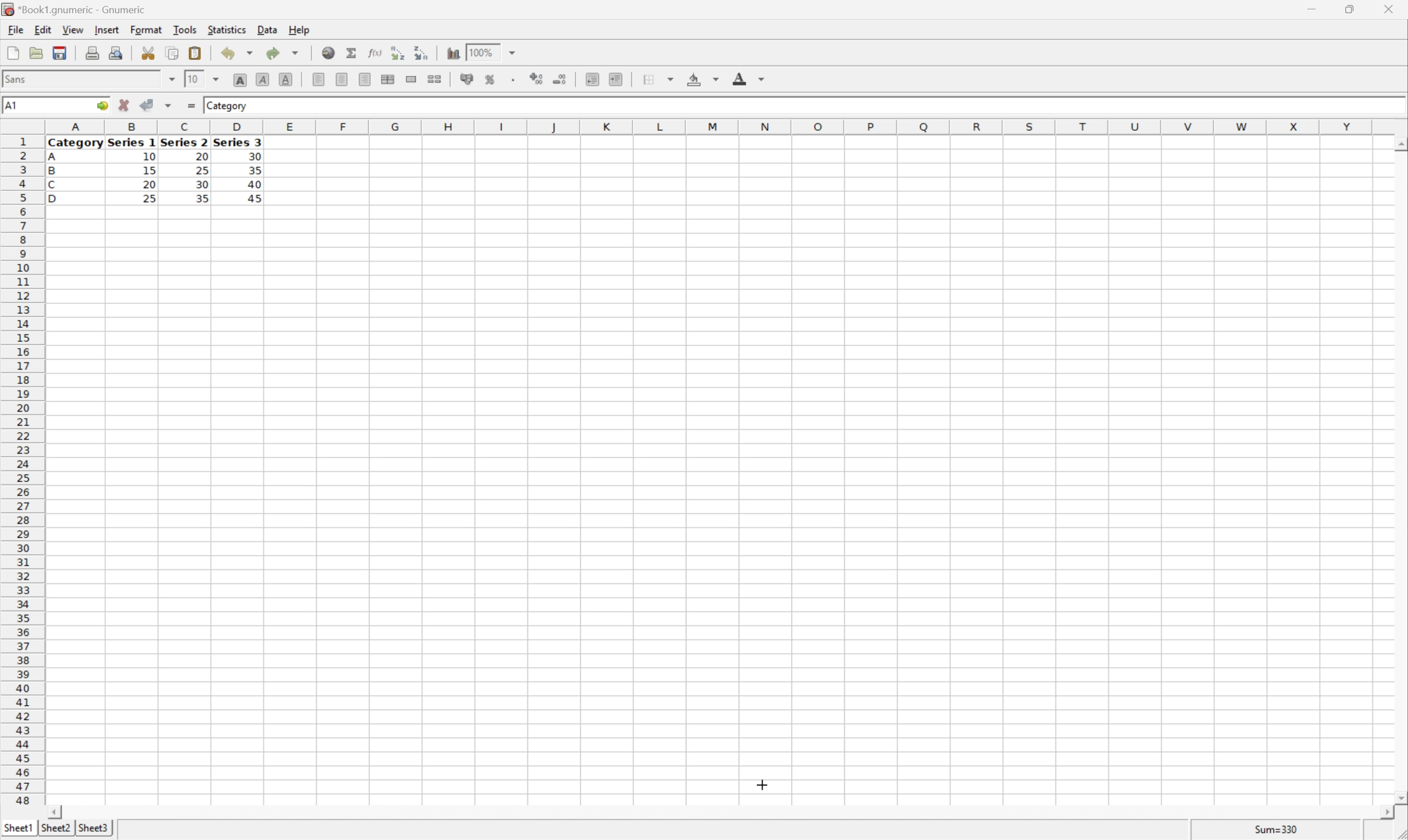 This screenshot has width=1408, height=840. I want to click on Decrease the number of decimals displayed, so click(559, 78).